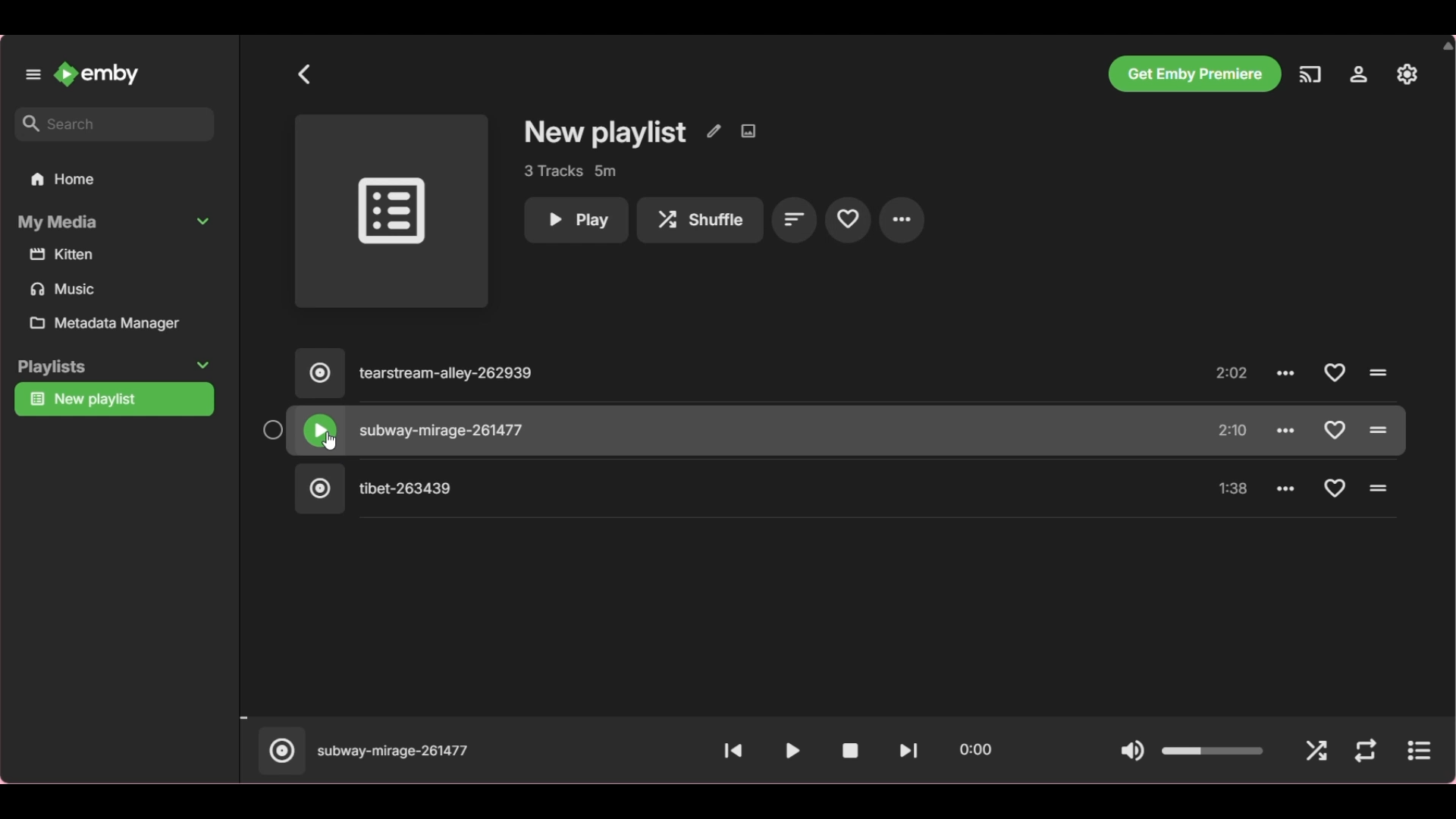 Image resolution: width=1456 pixels, height=819 pixels. What do you see at coordinates (1288, 373) in the screenshot?
I see `Click to see more options for  song` at bounding box center [1288, 373].